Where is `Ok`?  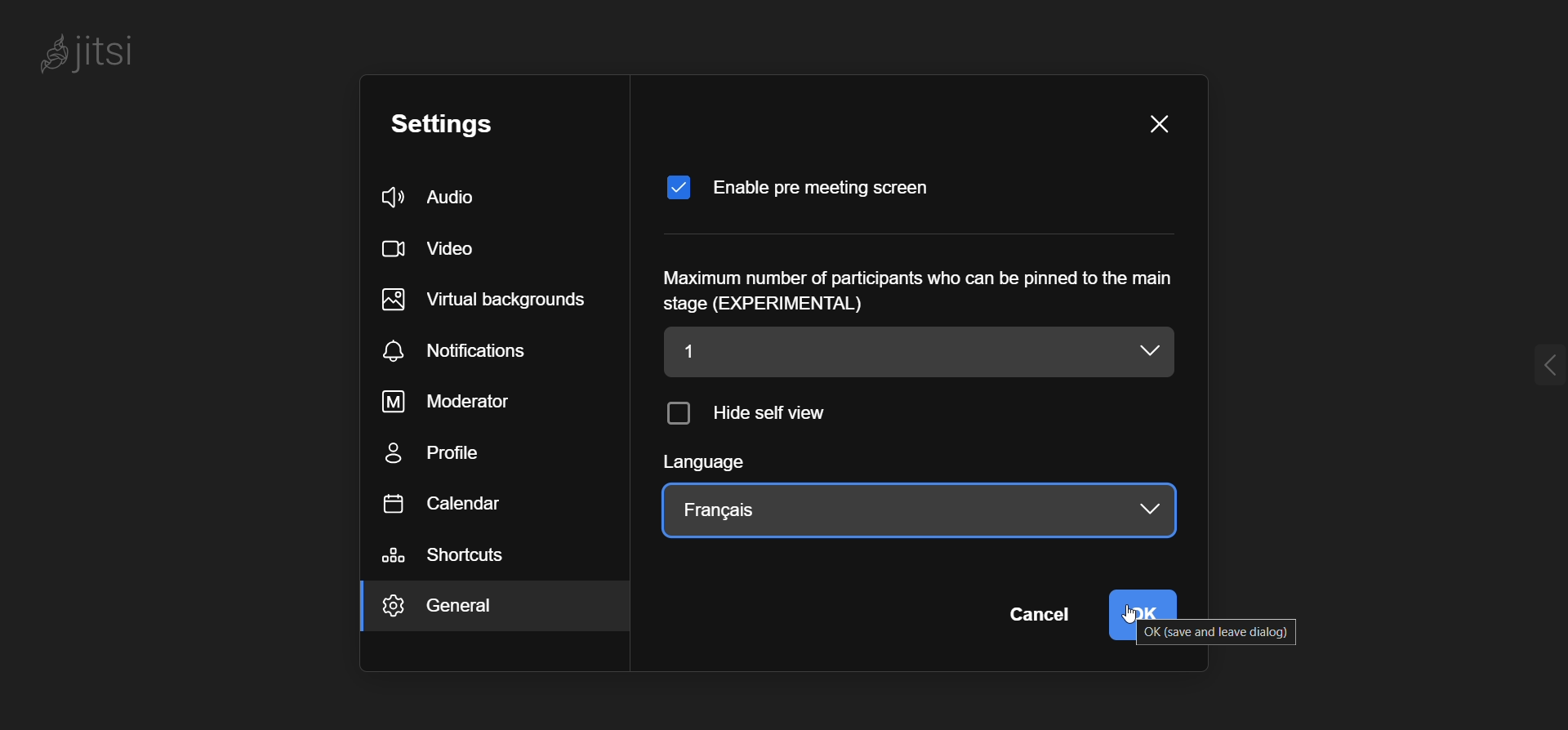 Ok is located at coordinates (1148, 603).